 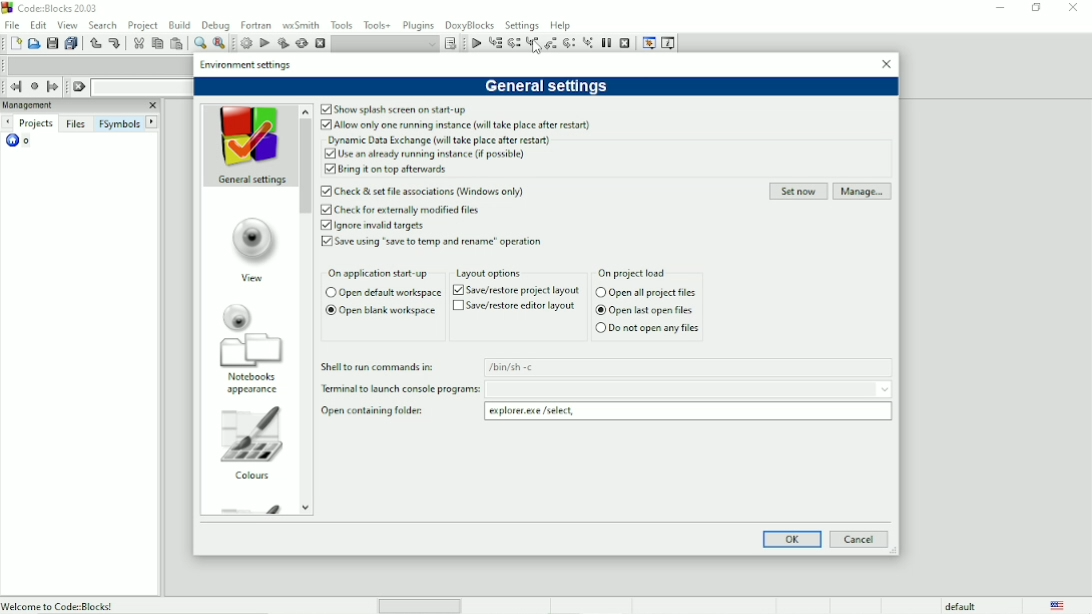 I want to click on Projects, so click(x=37, y=125).